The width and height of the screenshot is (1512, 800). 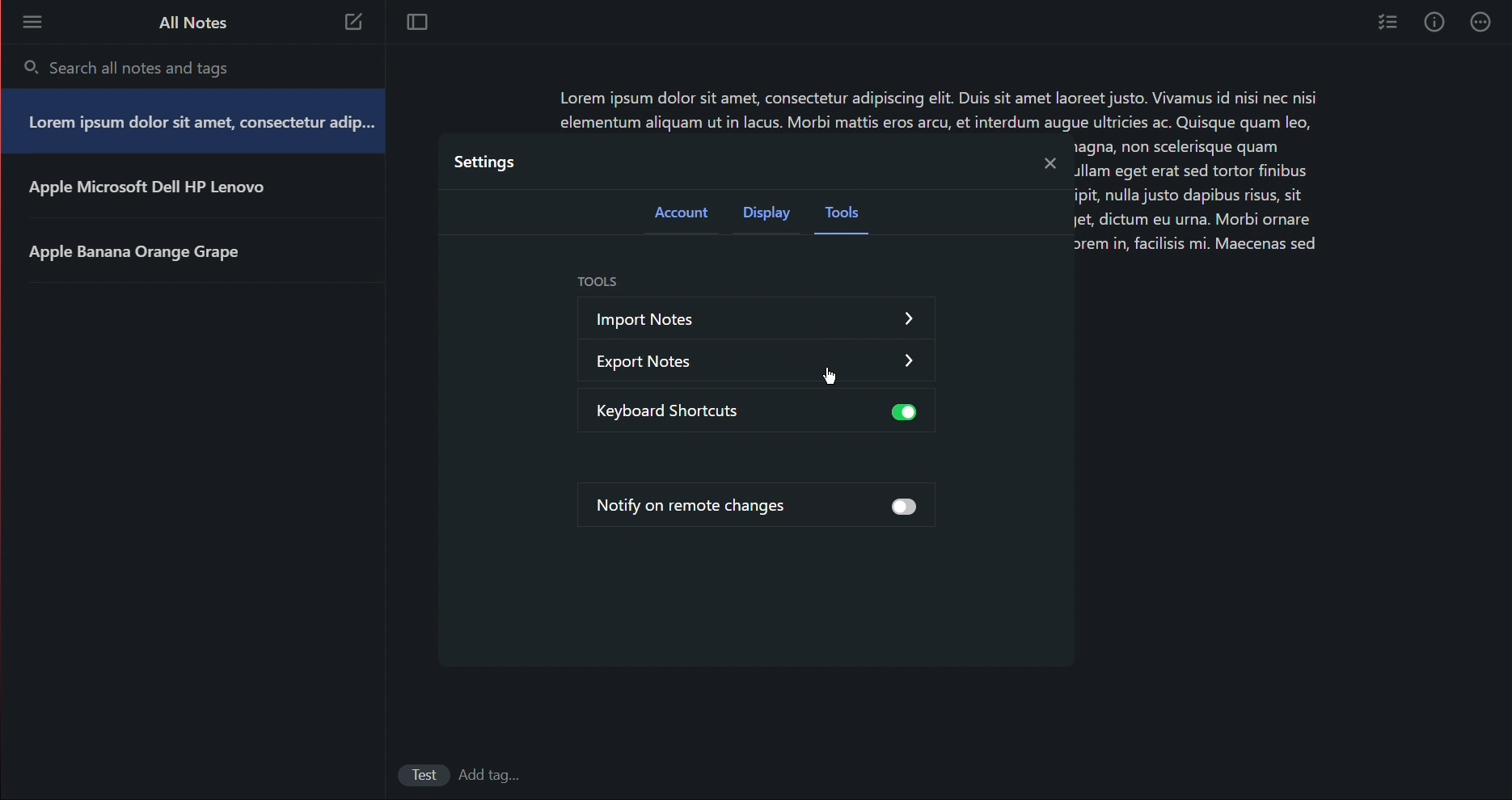 I want to click on Close, so click(x=1047, y=162).